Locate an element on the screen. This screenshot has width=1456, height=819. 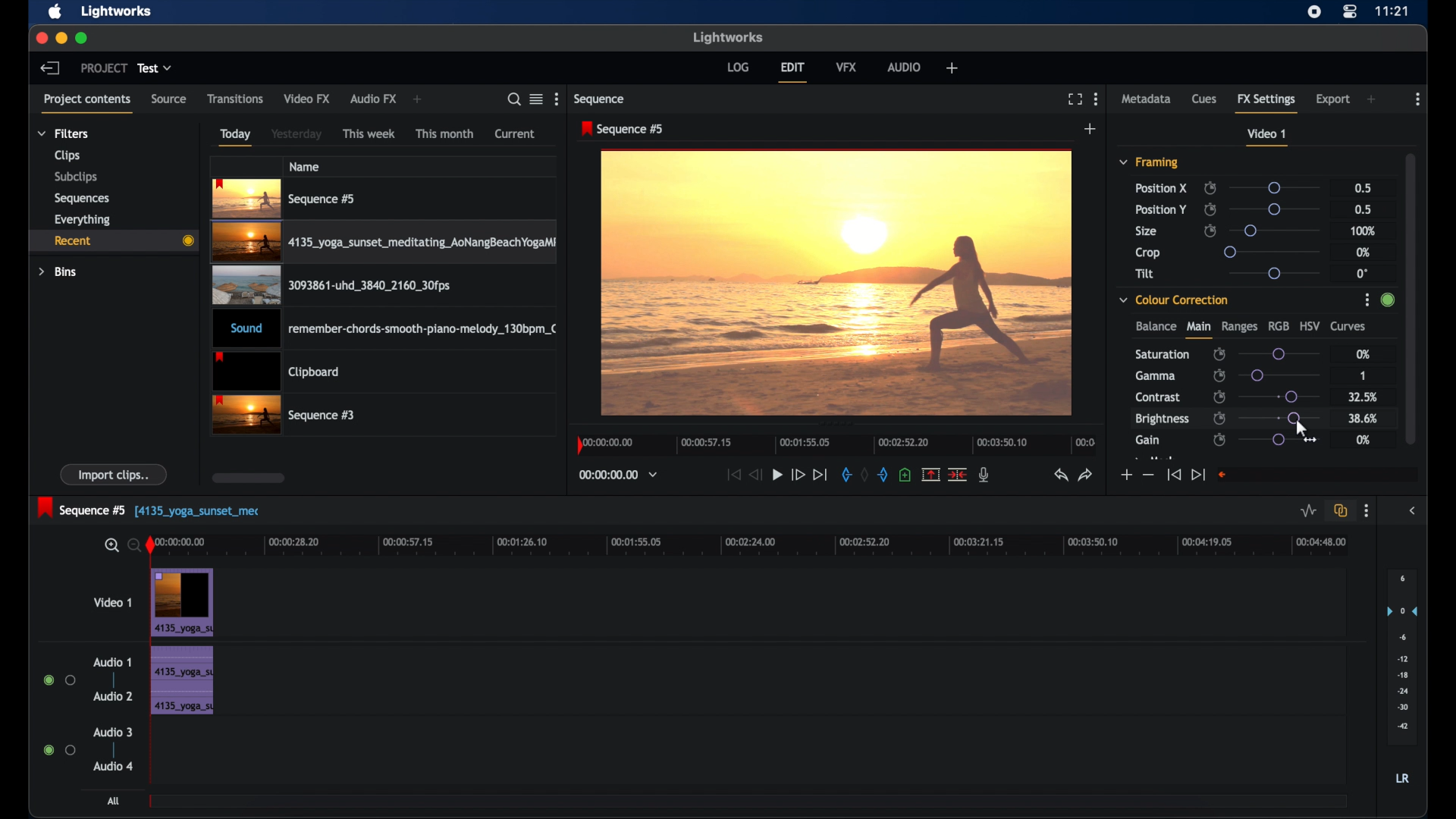
gamma is located at coordinates (1156, 375).